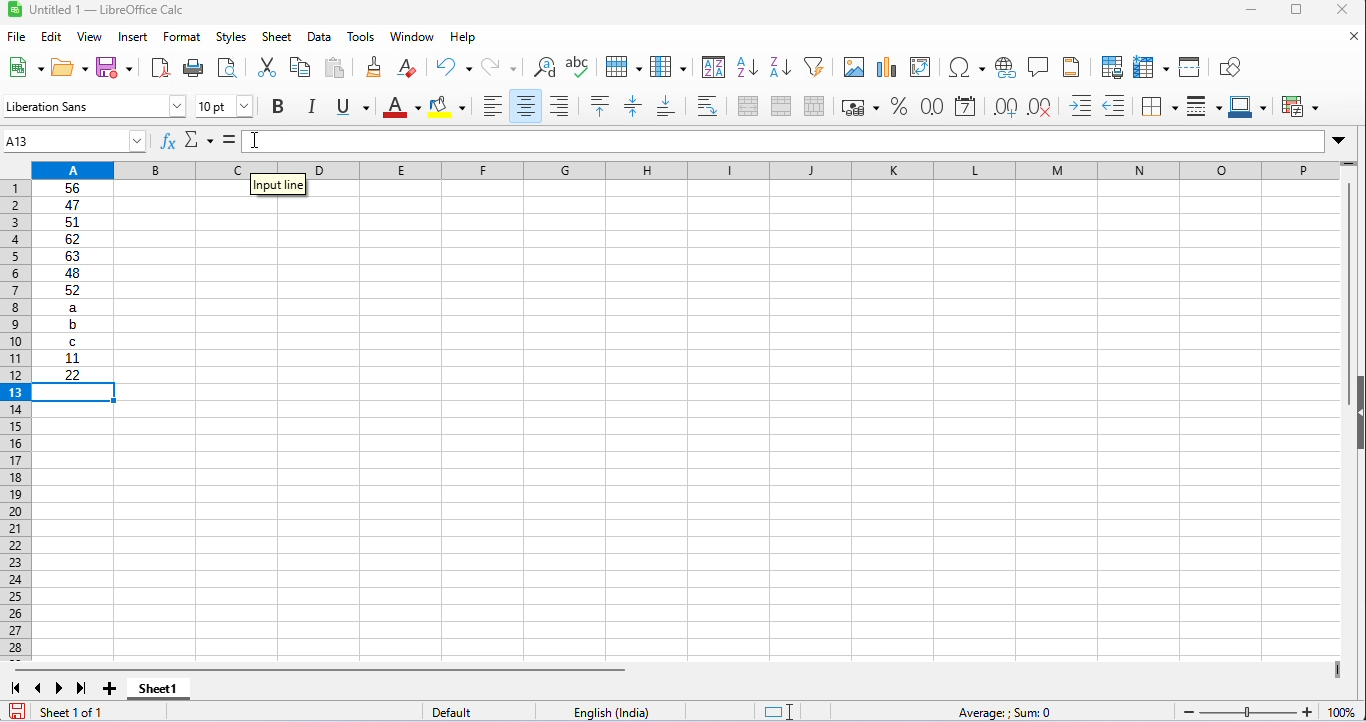 Image resolution: width=1366 pixels, height=722 pixels. I want to click on data, so click(319, 38).